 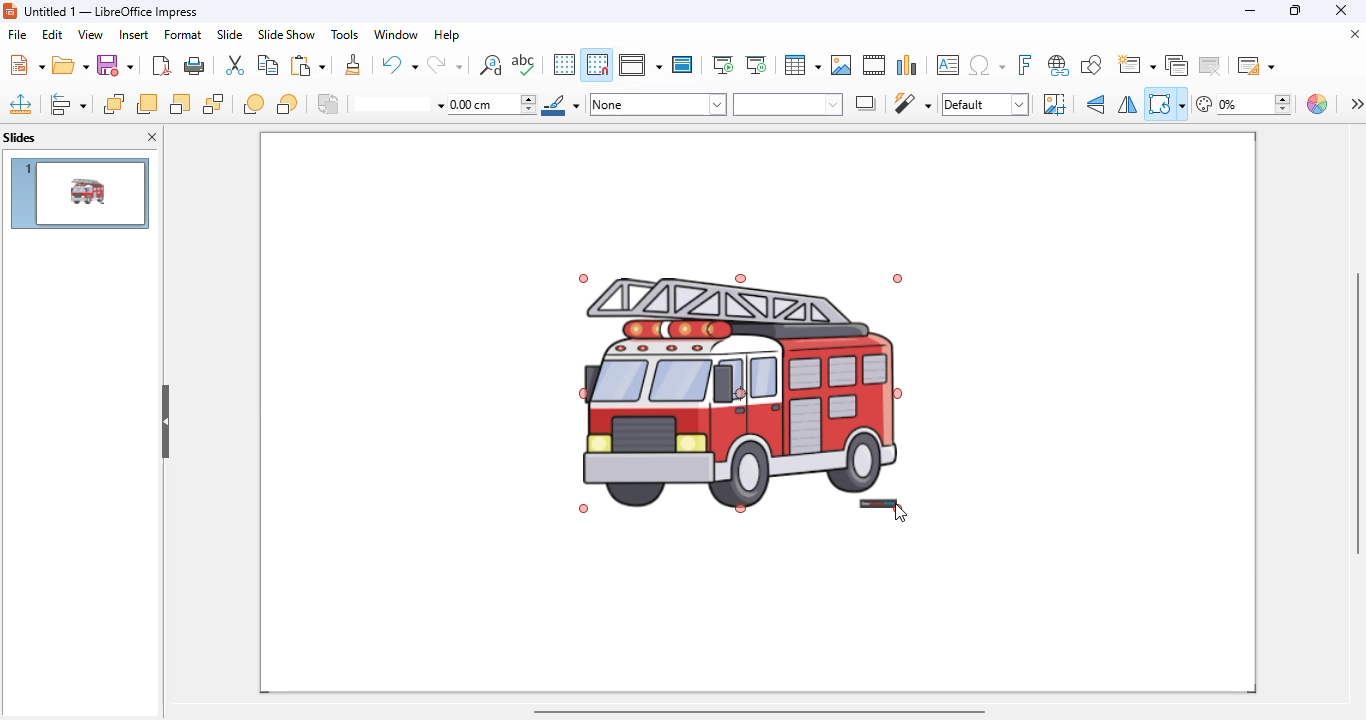 I want to click on cut, so click(x=235, y=65).